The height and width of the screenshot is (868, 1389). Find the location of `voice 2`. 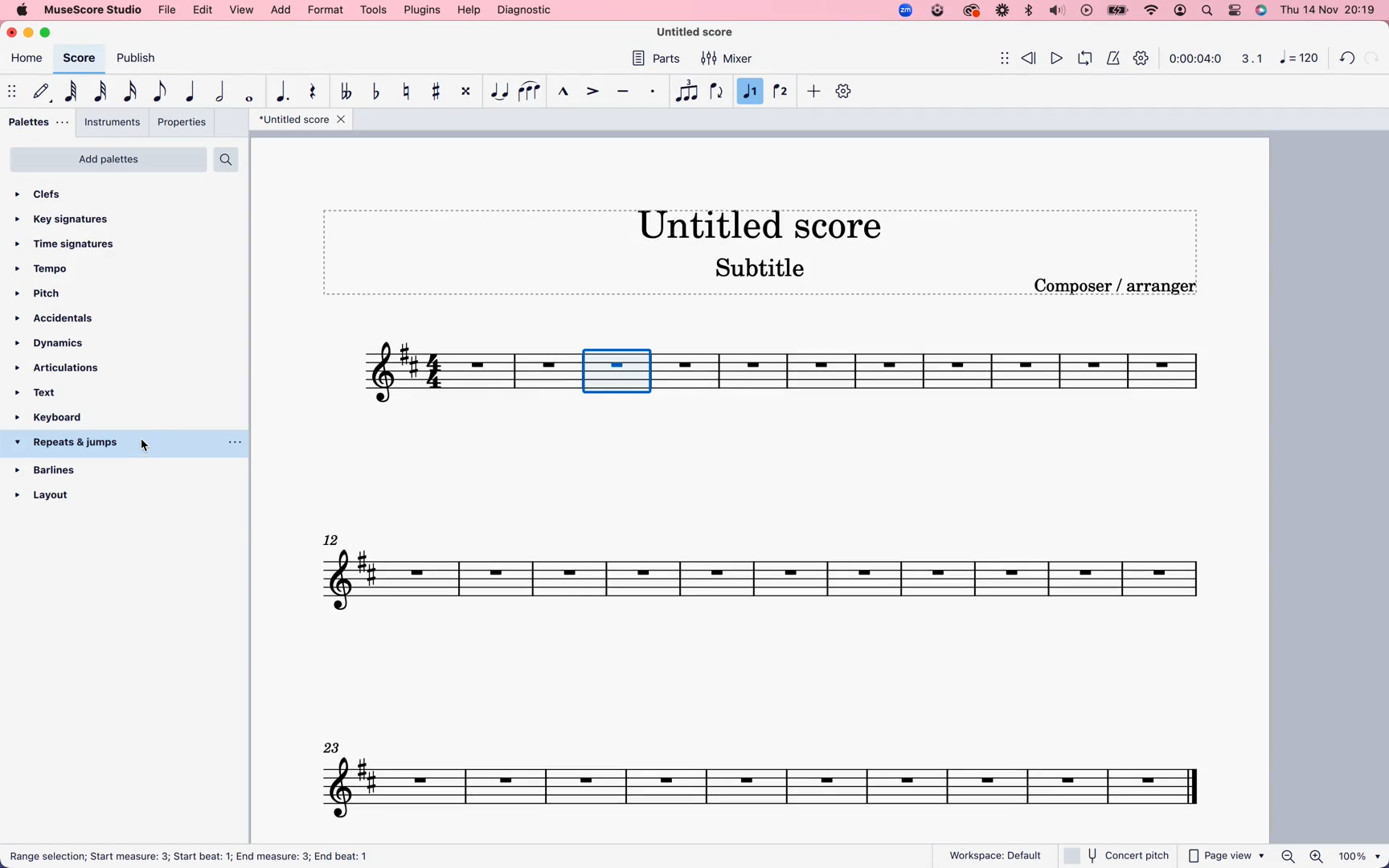

voice 2 is located at coordinates (782, 90).